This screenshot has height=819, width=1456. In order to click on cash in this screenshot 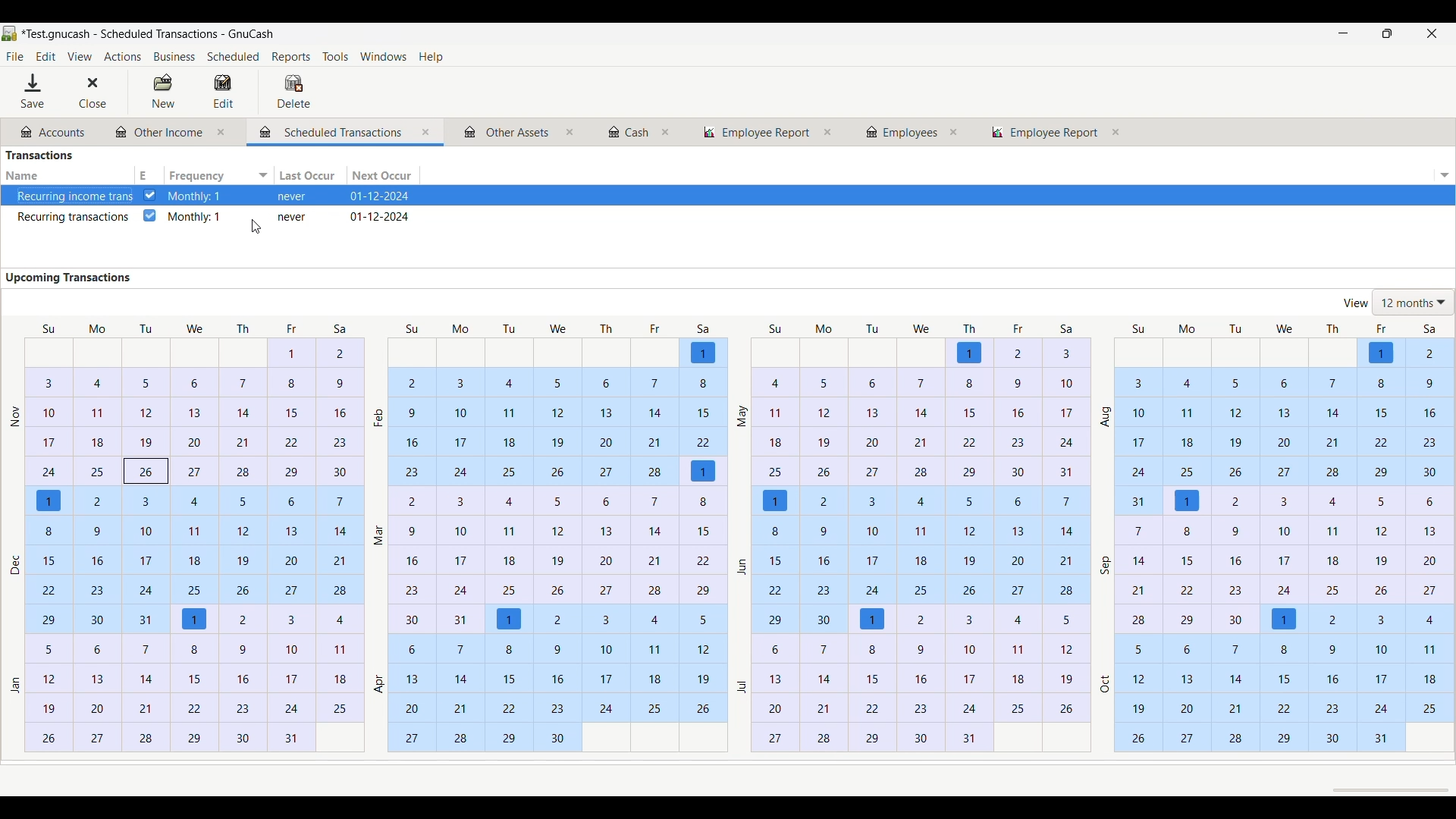, I will do `click(624, 133)`.